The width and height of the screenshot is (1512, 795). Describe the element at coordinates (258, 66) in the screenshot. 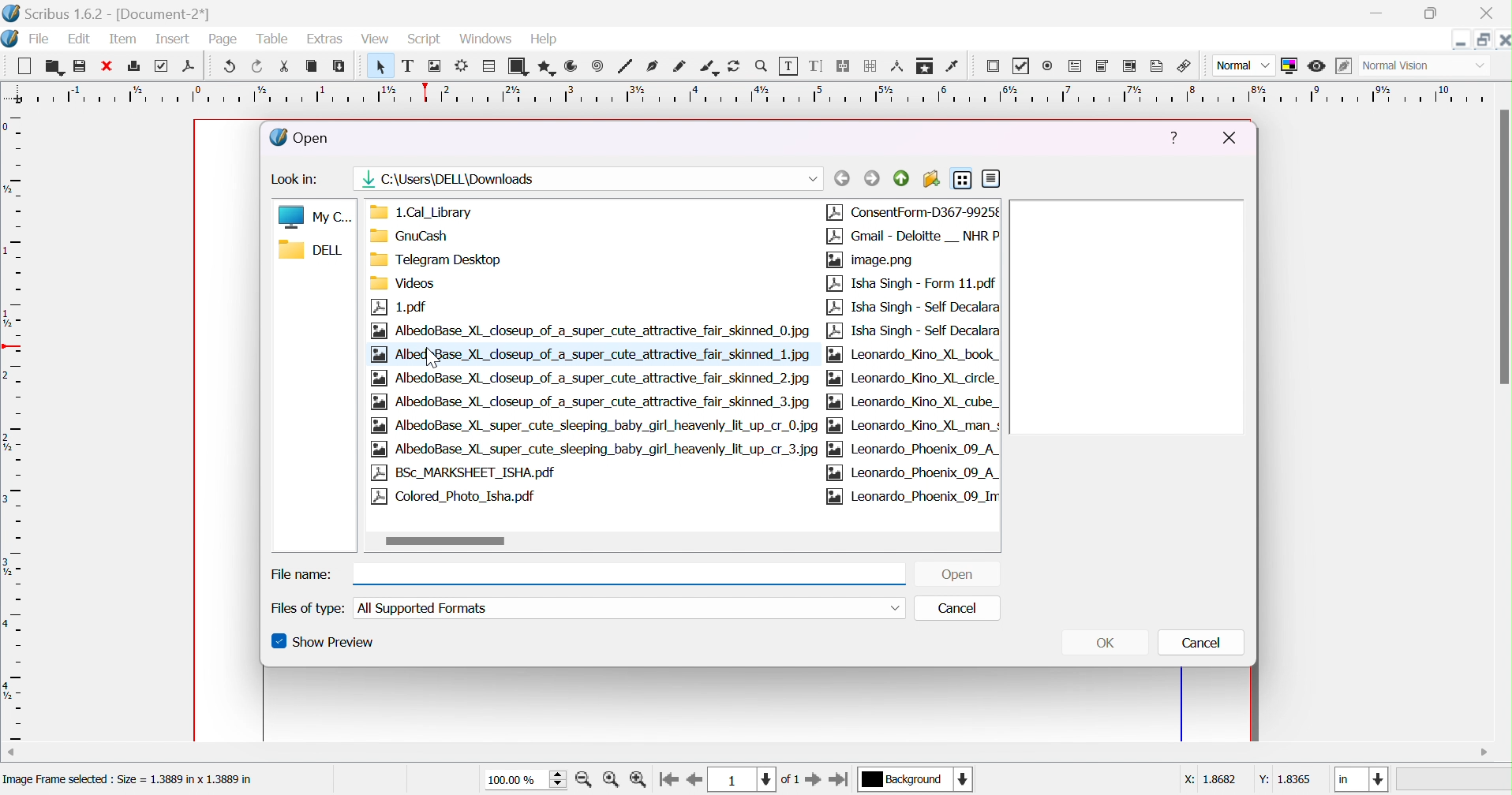

I see `redo` at that location.